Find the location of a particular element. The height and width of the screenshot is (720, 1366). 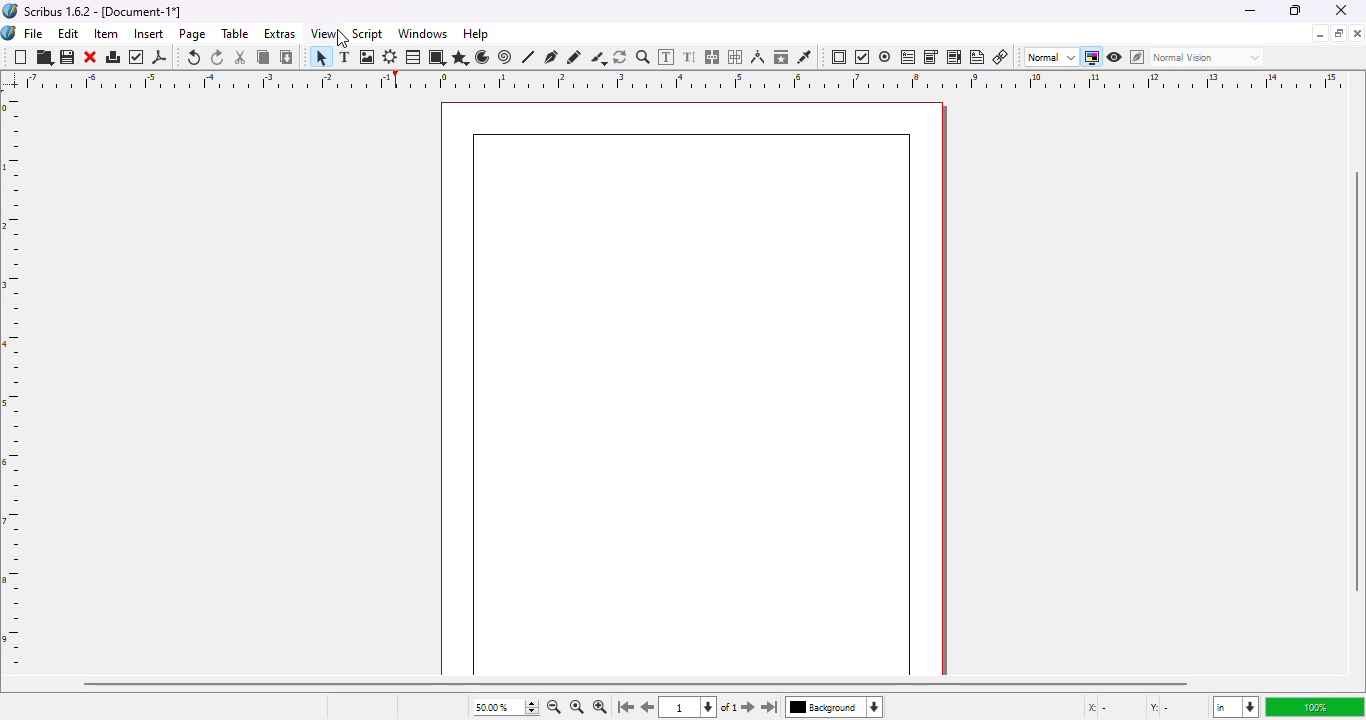

X -        Y - is located at coordinates (1131, 708).